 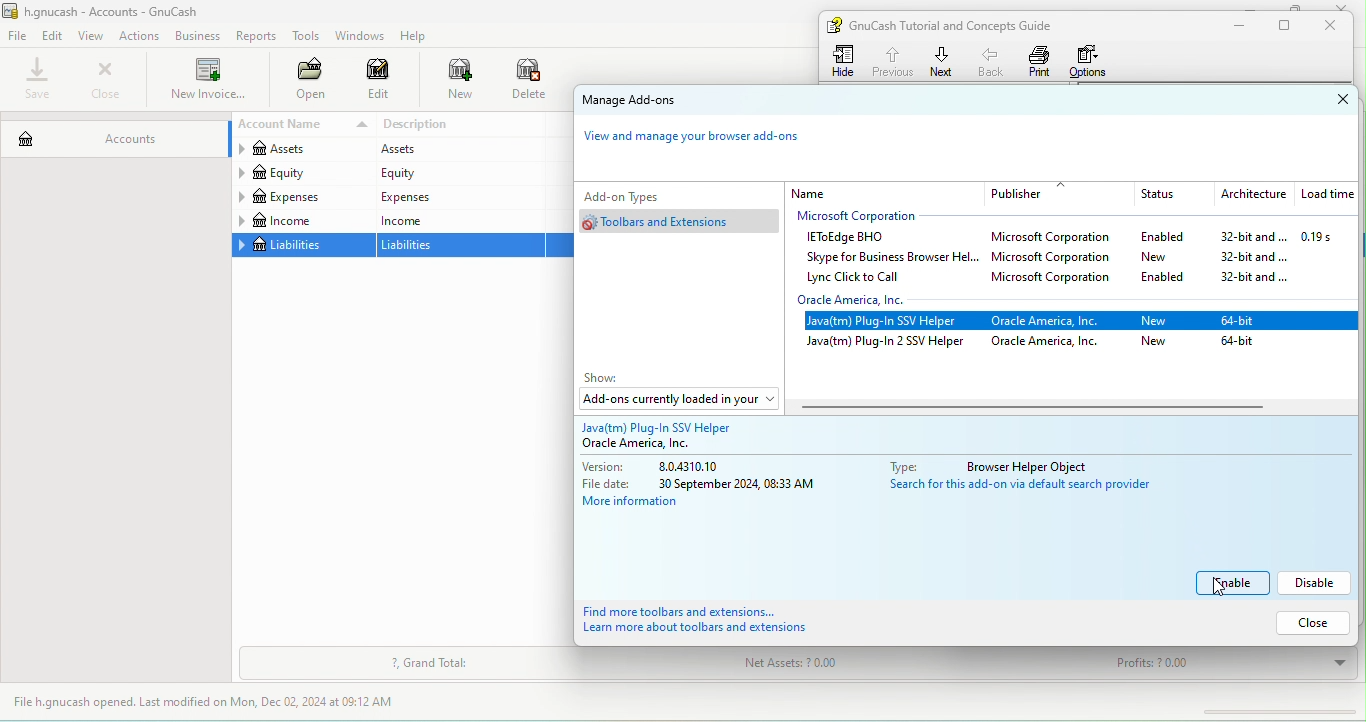 I want to click on net assets ?0.00, so click(x=853, y=666).